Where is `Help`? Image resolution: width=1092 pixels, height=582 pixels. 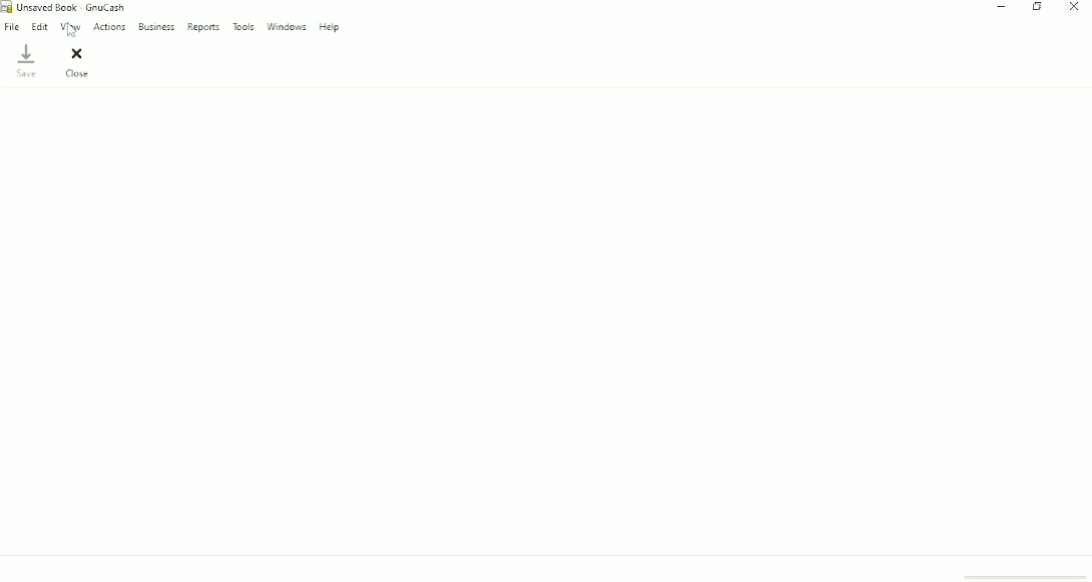 Help is located at coordinates (331, 27).